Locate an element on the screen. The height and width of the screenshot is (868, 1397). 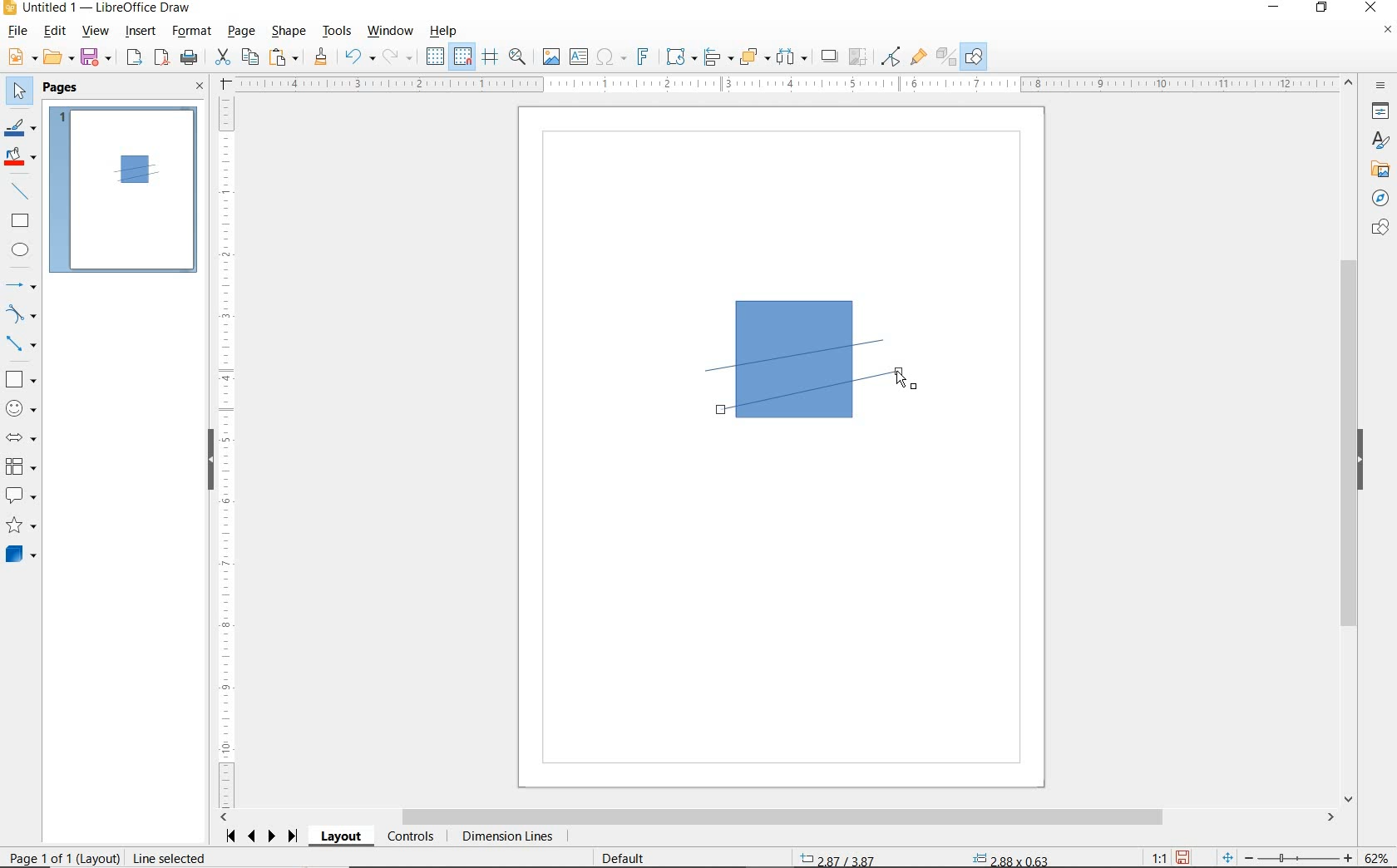
PAGE is located at coordinates (243, 32).